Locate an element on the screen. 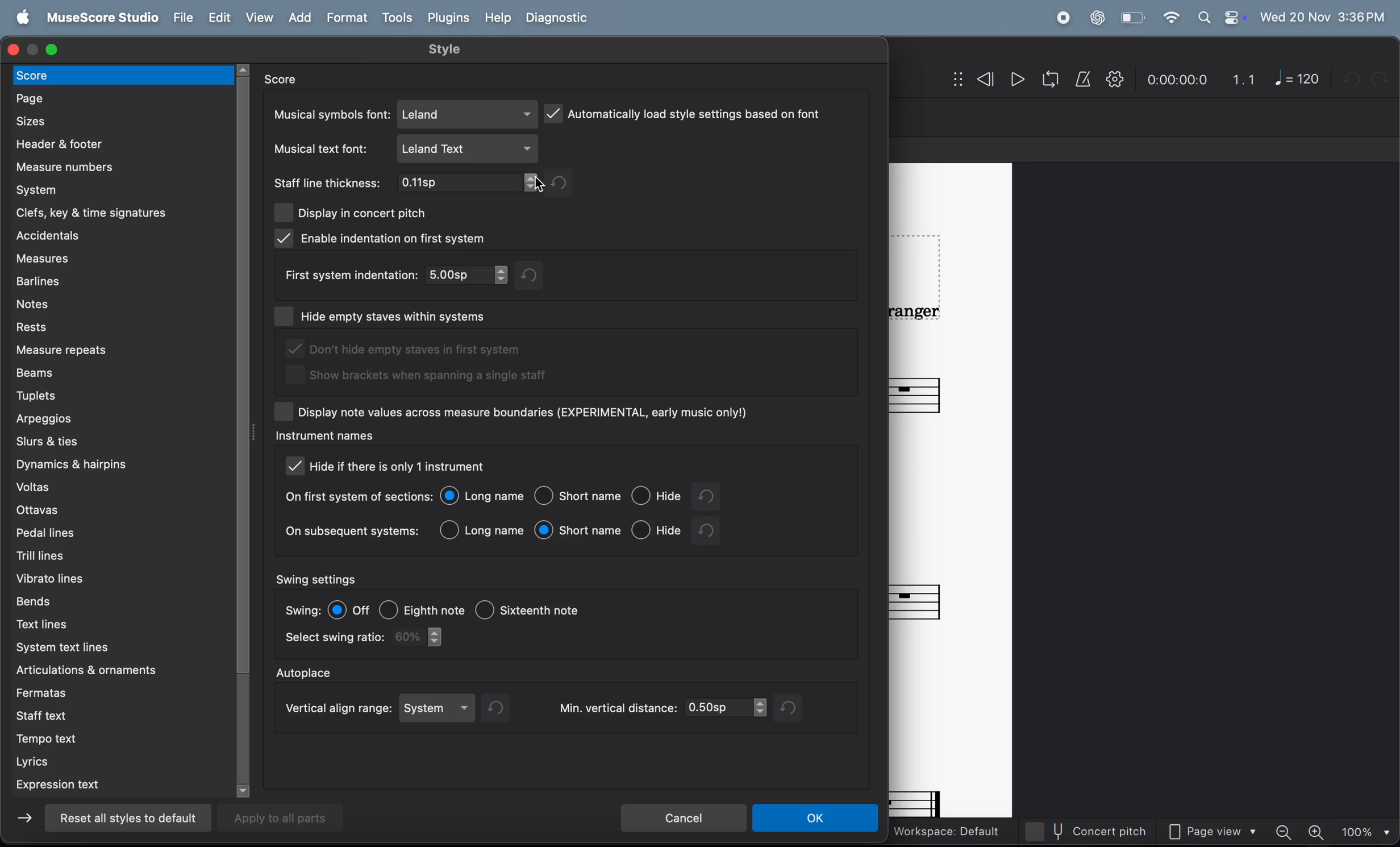  edit is located at coordinates (218, 18).